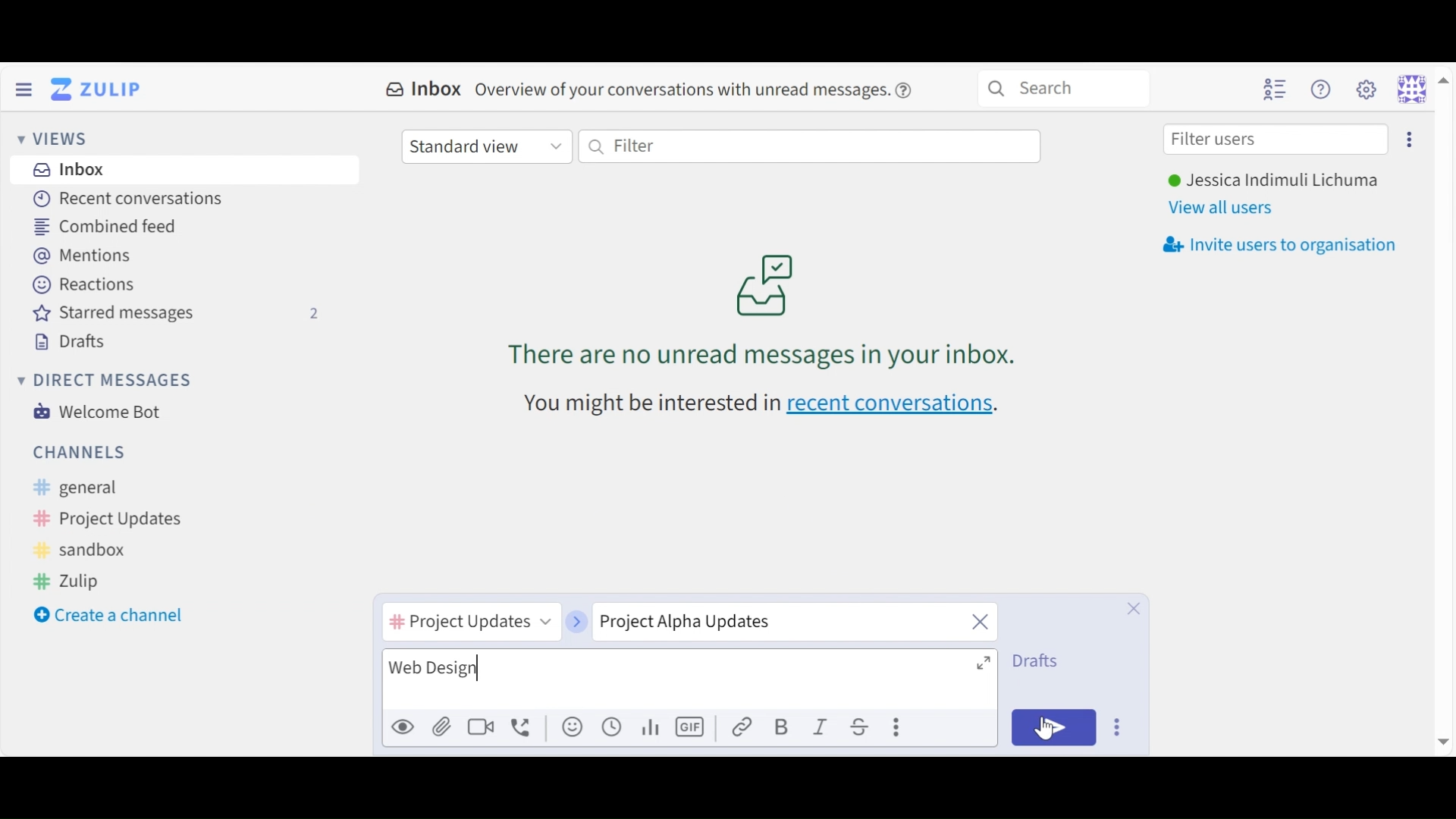 This screenshot has height=819, width=1456. What do you see at coordinates (575, 618) in the screenshot?
I see `next` at bounding box center [575, 618].